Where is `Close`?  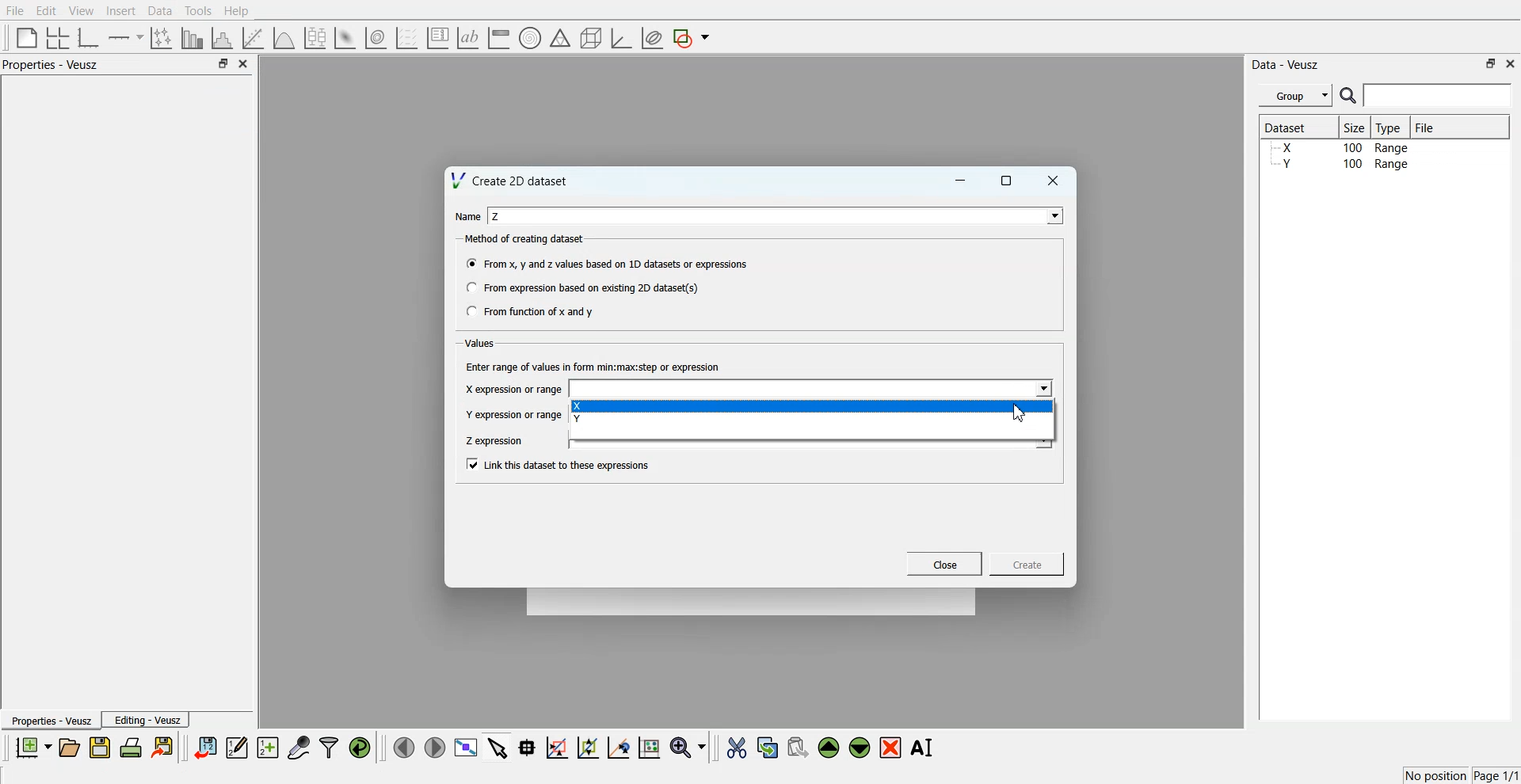
Close is located at coordinates (244, 63).